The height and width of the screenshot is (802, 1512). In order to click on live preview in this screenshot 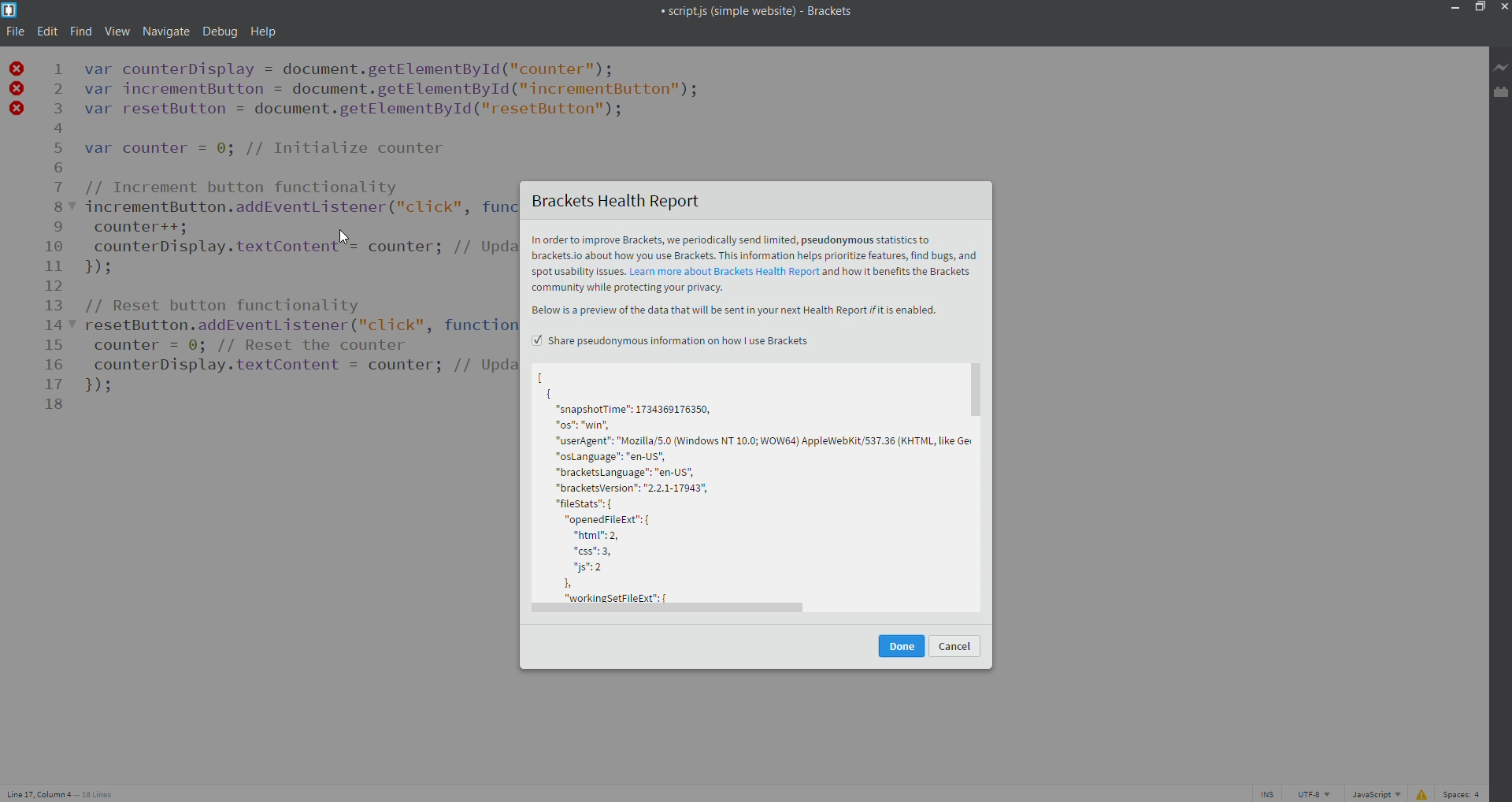, I will do `click(1502, 69)`.